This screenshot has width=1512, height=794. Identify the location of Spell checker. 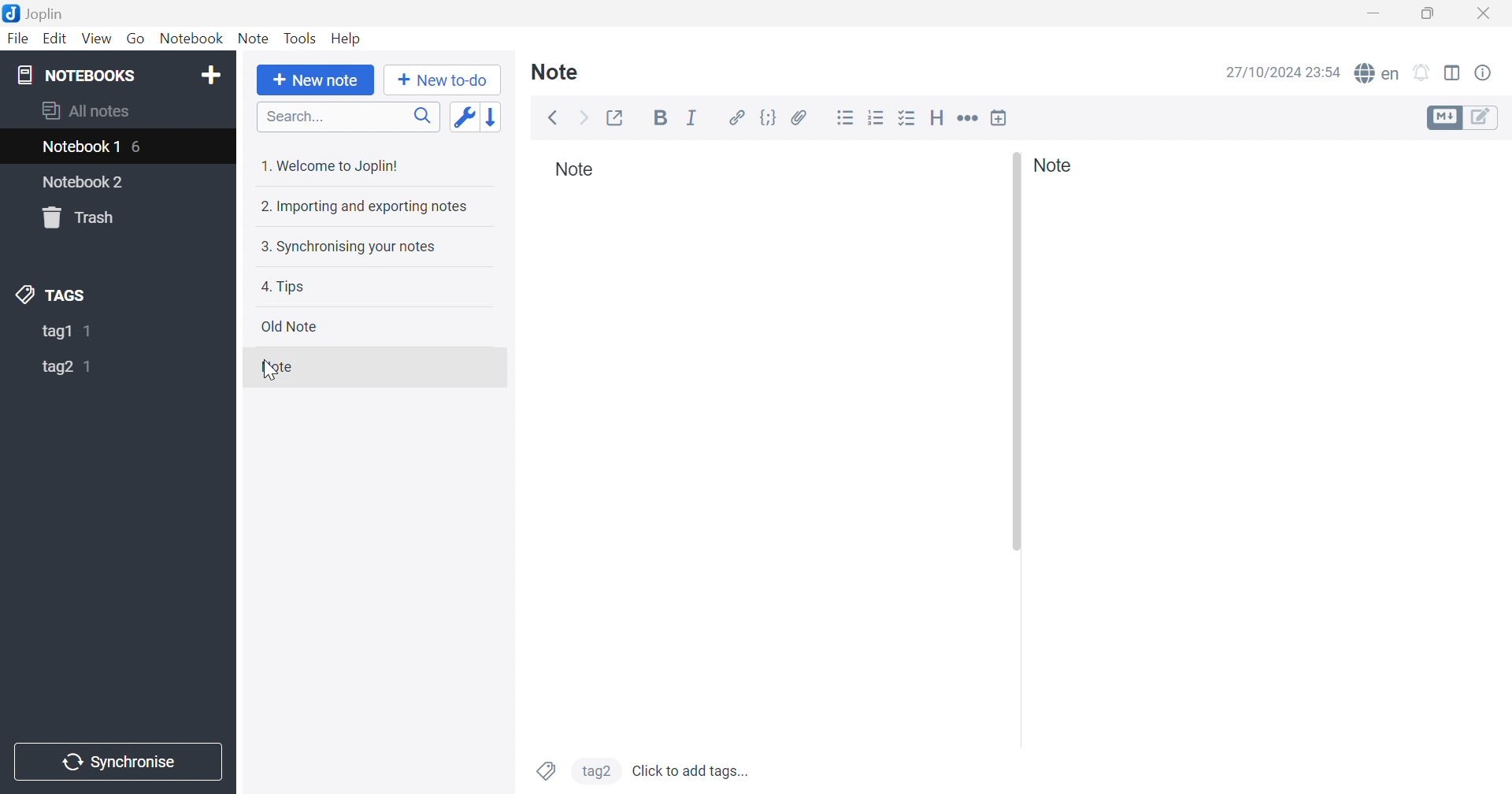
(1377, 71).